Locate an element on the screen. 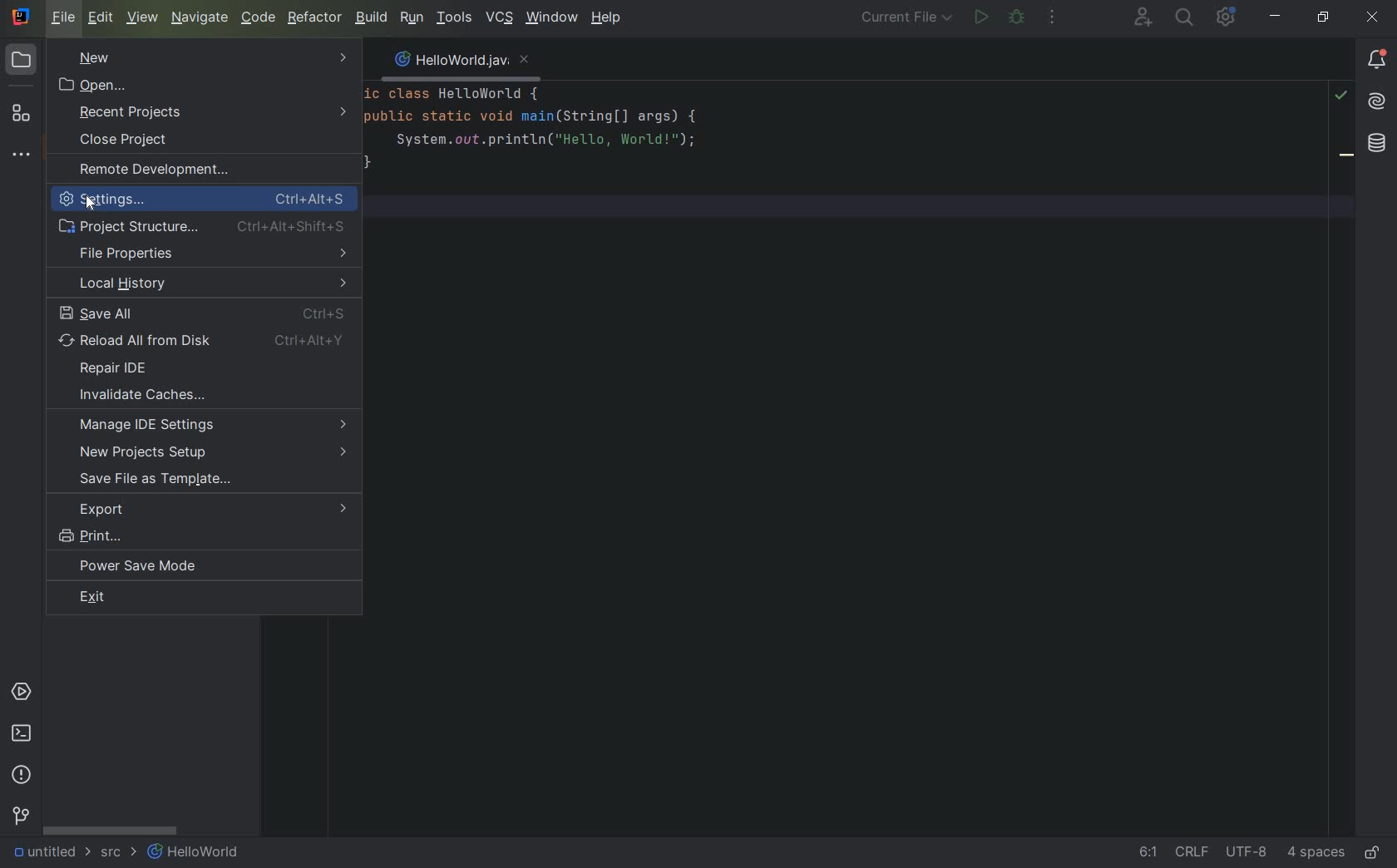 The image size is (1397, 868). more tool windows is located at coordinates (22, 155).